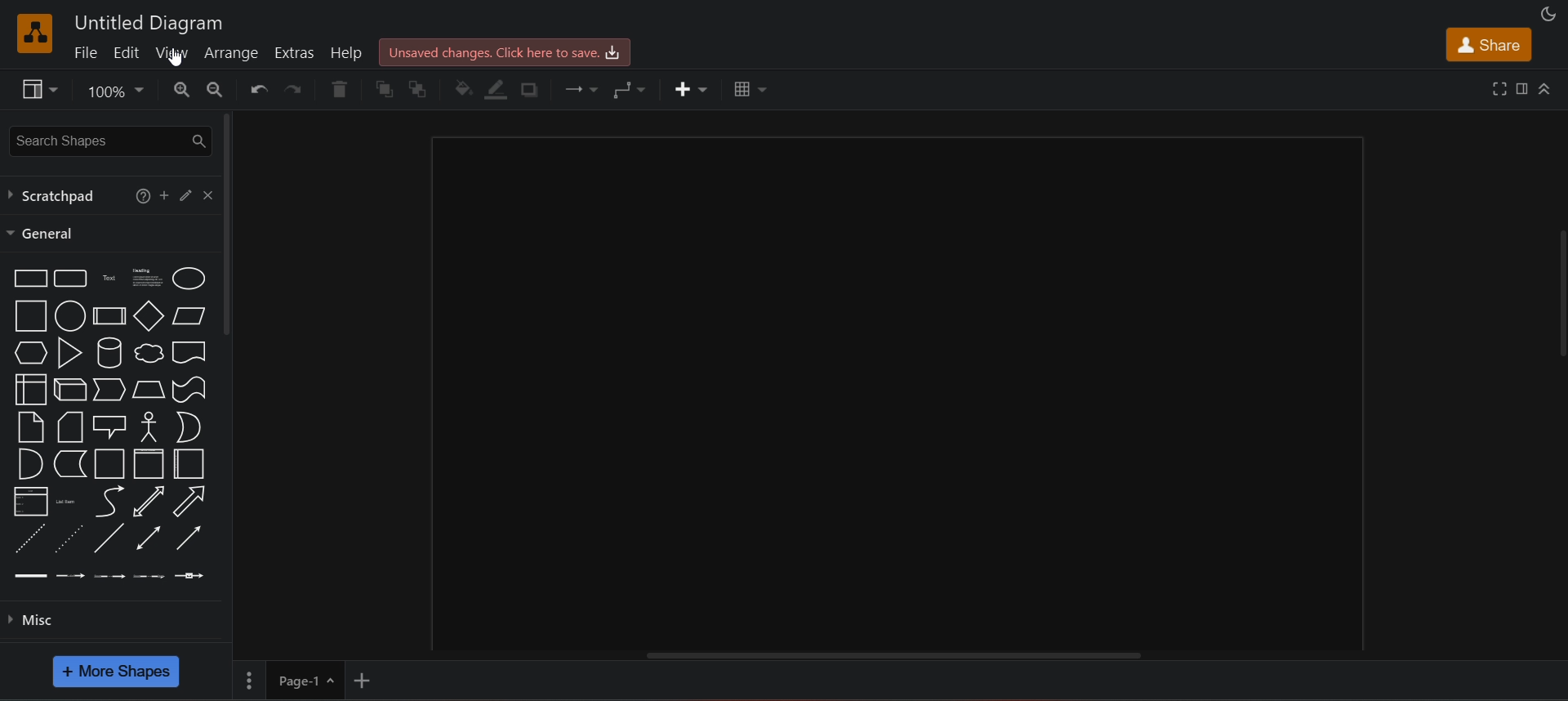 Image resolution: width=1568 pixels, height=701 pixels. I want to click on add new page, so click(366, 678).